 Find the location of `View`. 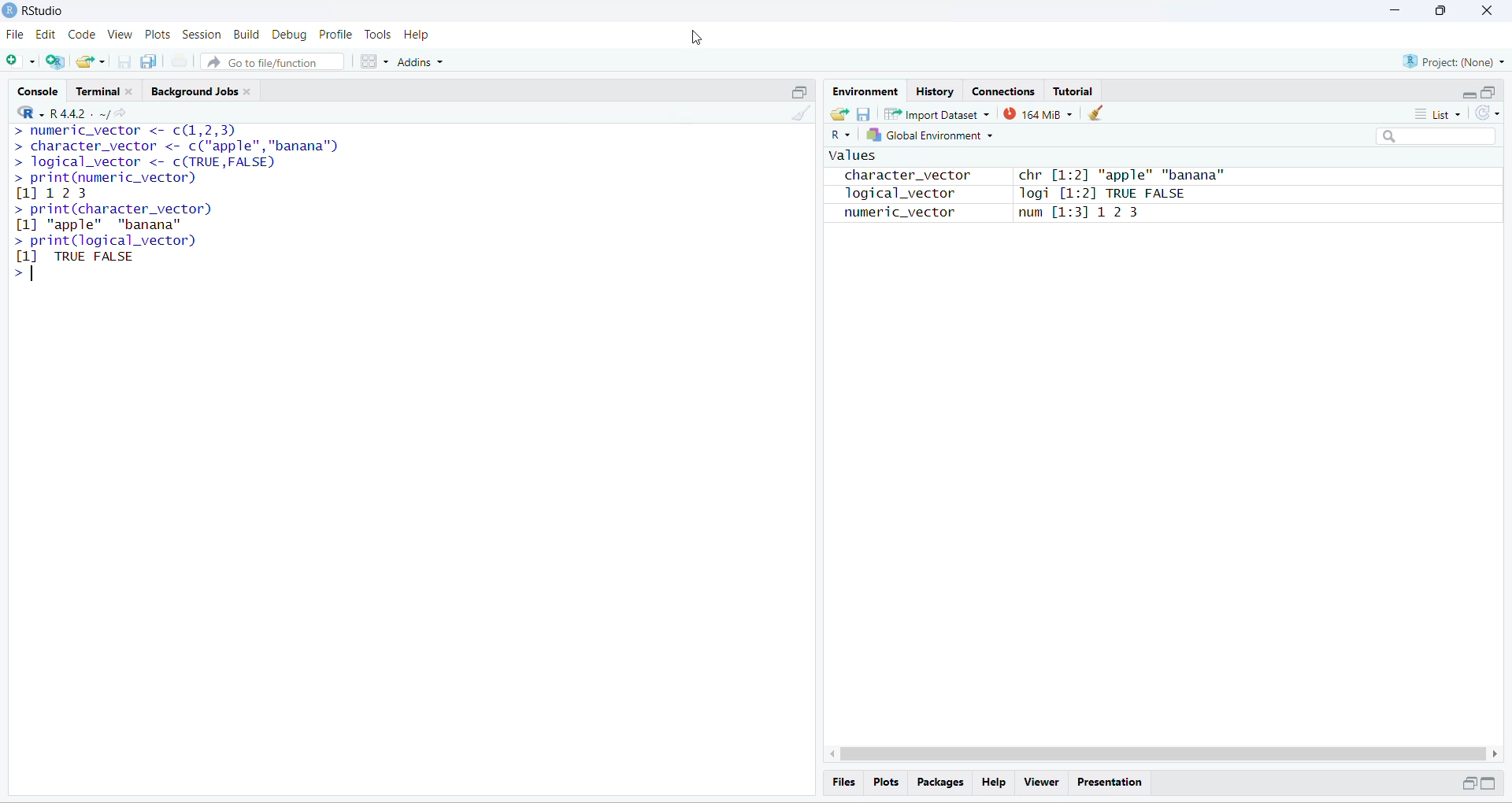

View is located at coordinates (120, 35).